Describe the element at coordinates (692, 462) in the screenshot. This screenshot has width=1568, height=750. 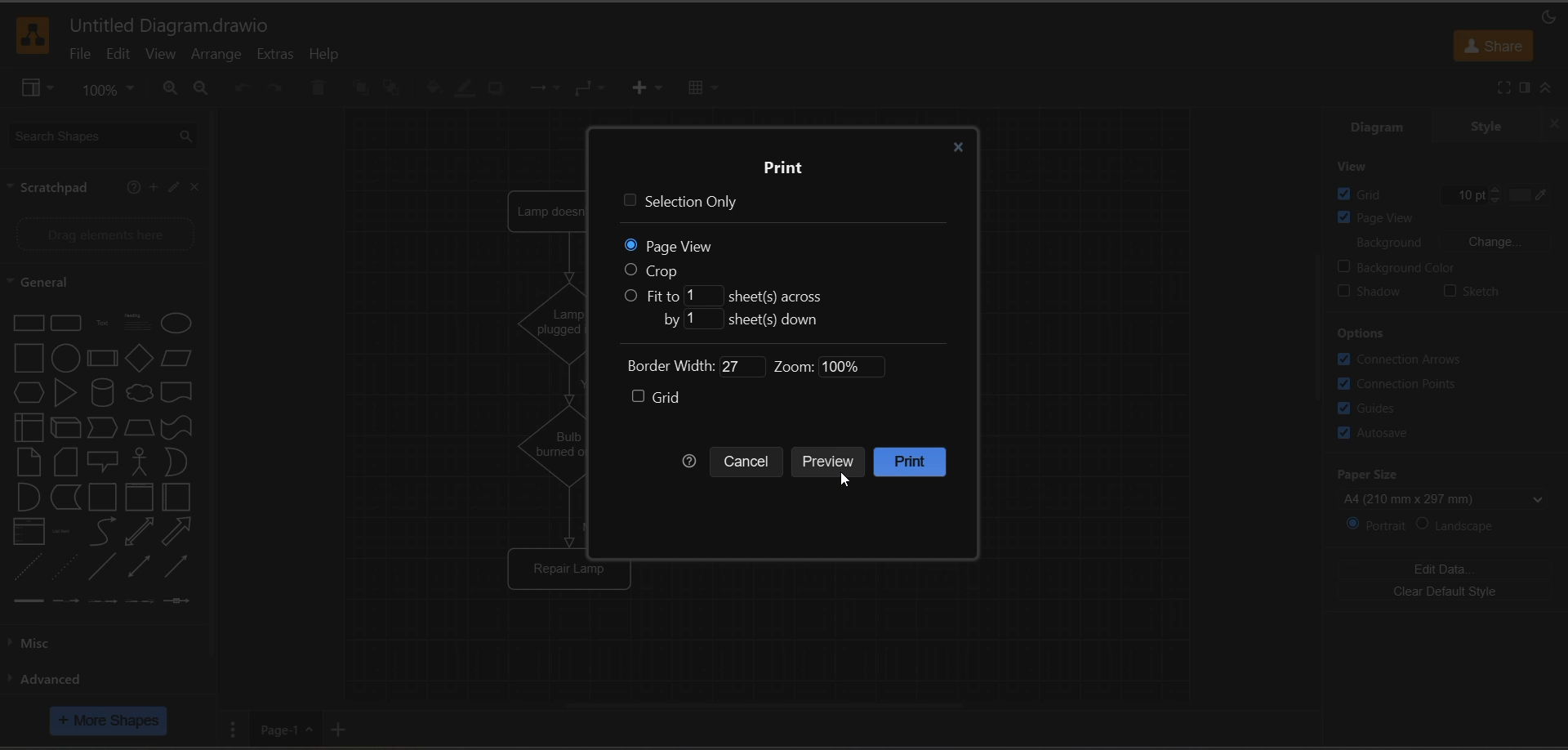
I see `help` at that location.